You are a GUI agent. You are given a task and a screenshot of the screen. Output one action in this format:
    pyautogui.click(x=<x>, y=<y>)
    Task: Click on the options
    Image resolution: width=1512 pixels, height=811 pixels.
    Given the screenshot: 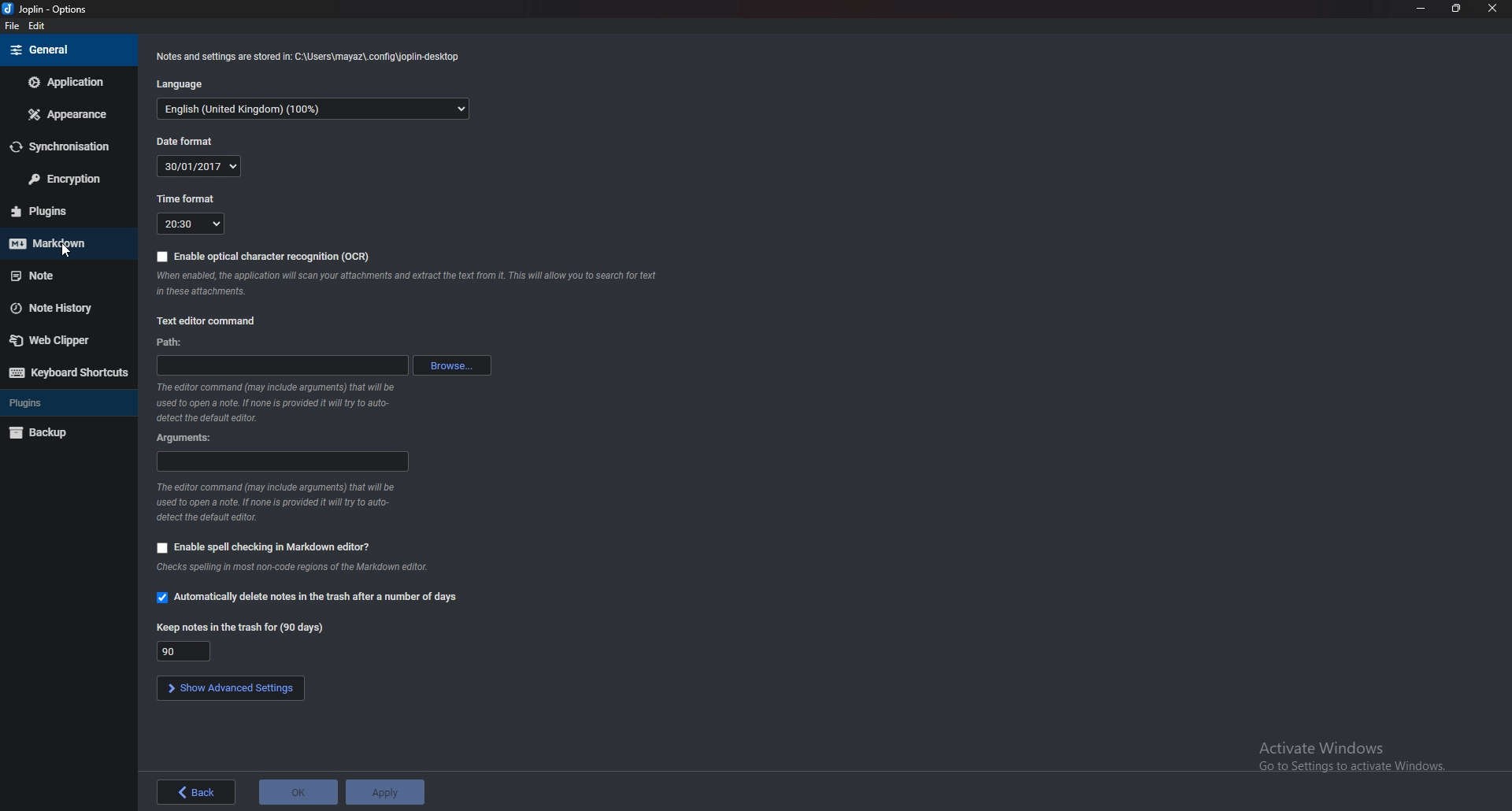 What is the action you would take?
    pyautogui.click(x=53, y=9)
    